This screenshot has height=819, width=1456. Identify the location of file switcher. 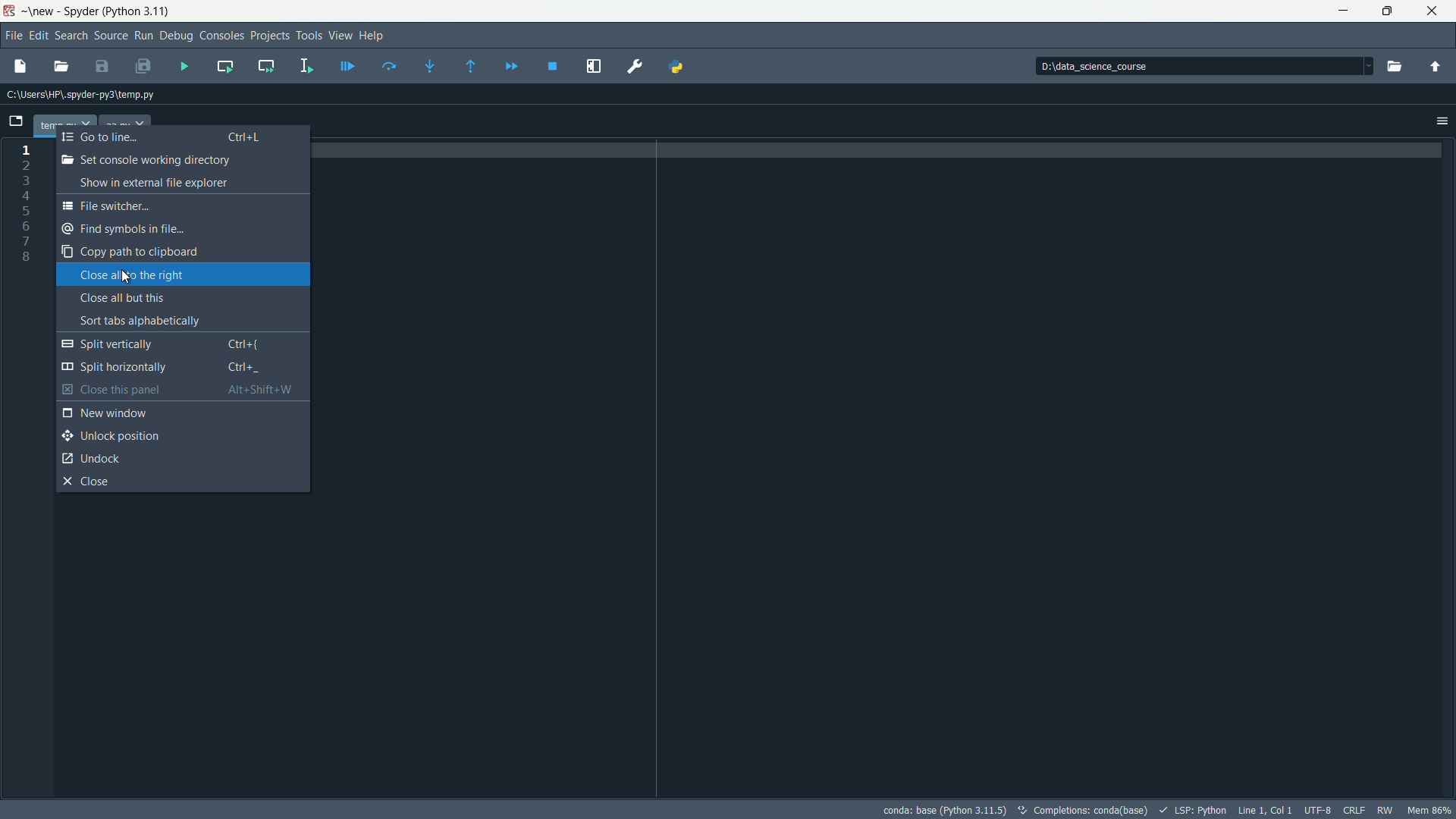
(107, 206).